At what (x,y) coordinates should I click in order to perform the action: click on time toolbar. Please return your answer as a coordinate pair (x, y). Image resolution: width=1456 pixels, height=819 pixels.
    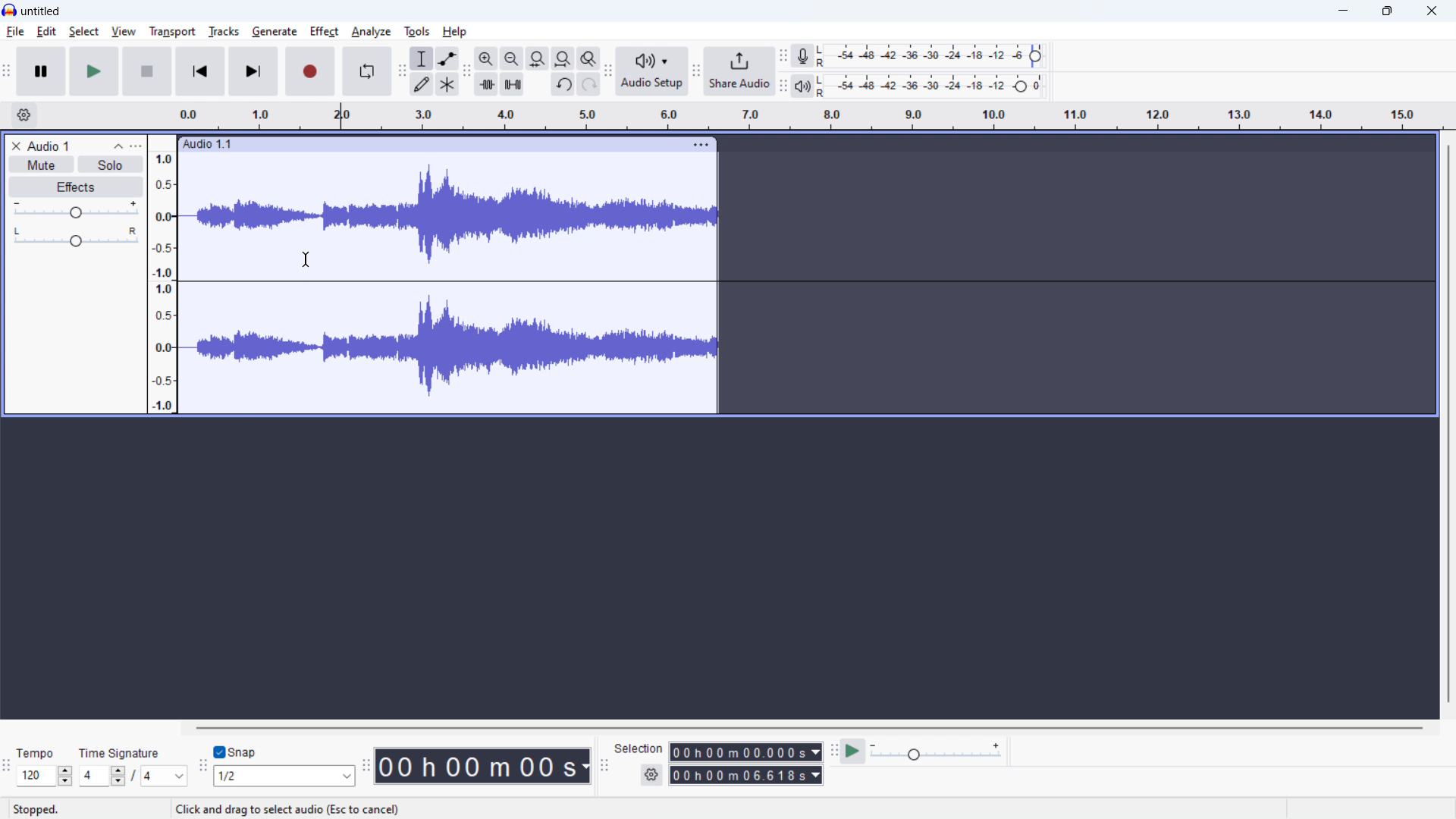
    Looking at the image, I should click on (366, 770).